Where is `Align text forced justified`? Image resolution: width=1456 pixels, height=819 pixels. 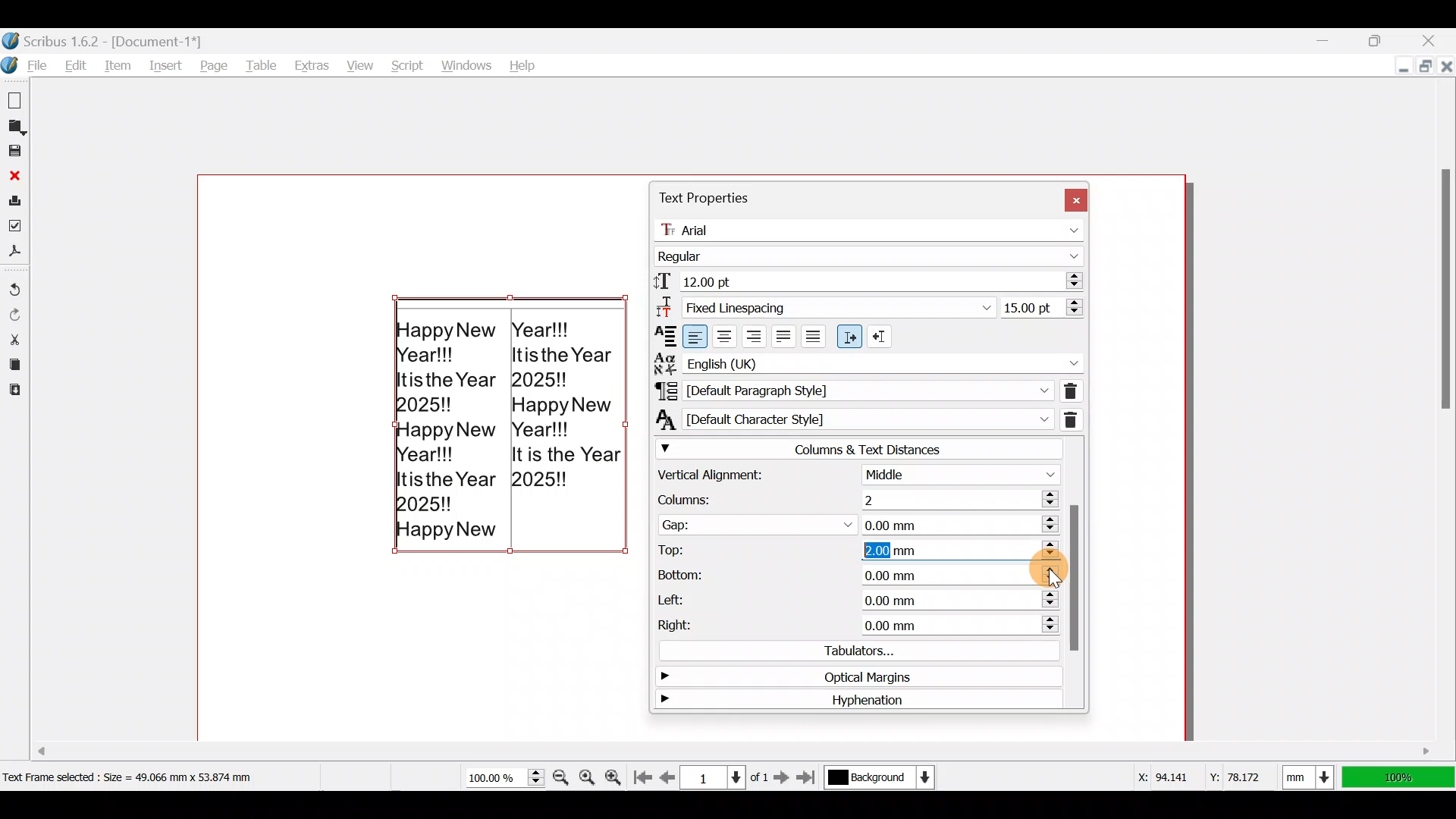 Align text forced justified is located at coordinates (816, 337).